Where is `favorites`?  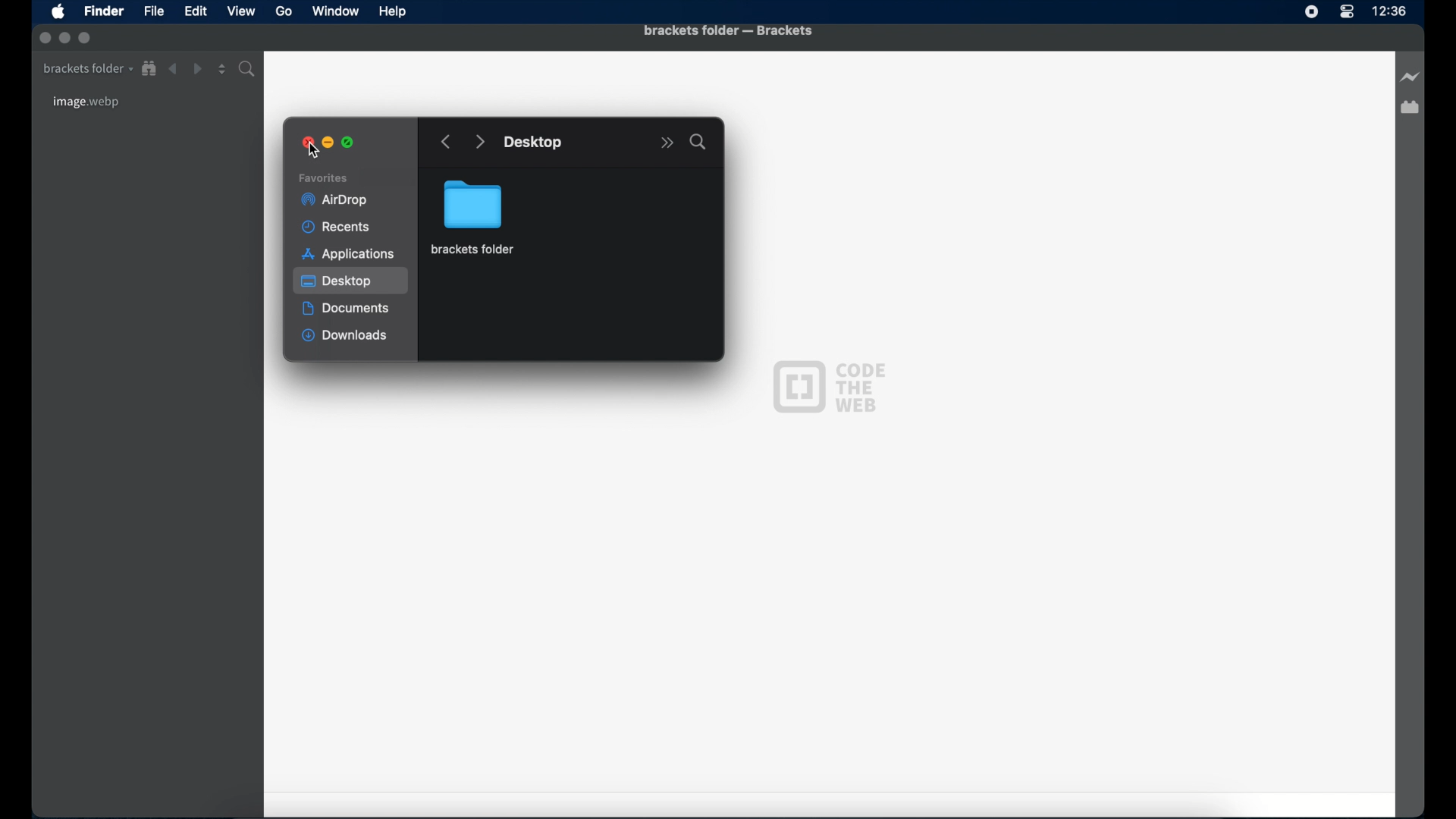
favorites is located at coordinates (324, 178).